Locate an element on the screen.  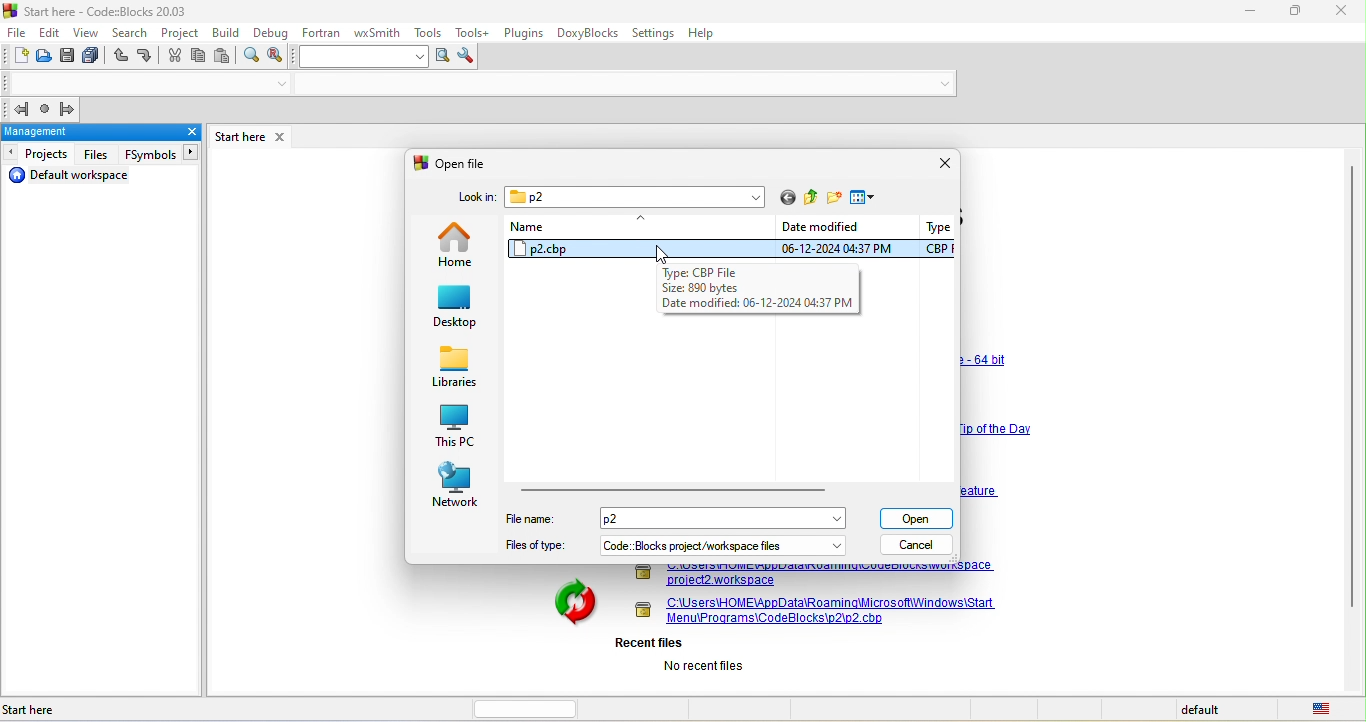
projects is located at coordinates (39, 154).